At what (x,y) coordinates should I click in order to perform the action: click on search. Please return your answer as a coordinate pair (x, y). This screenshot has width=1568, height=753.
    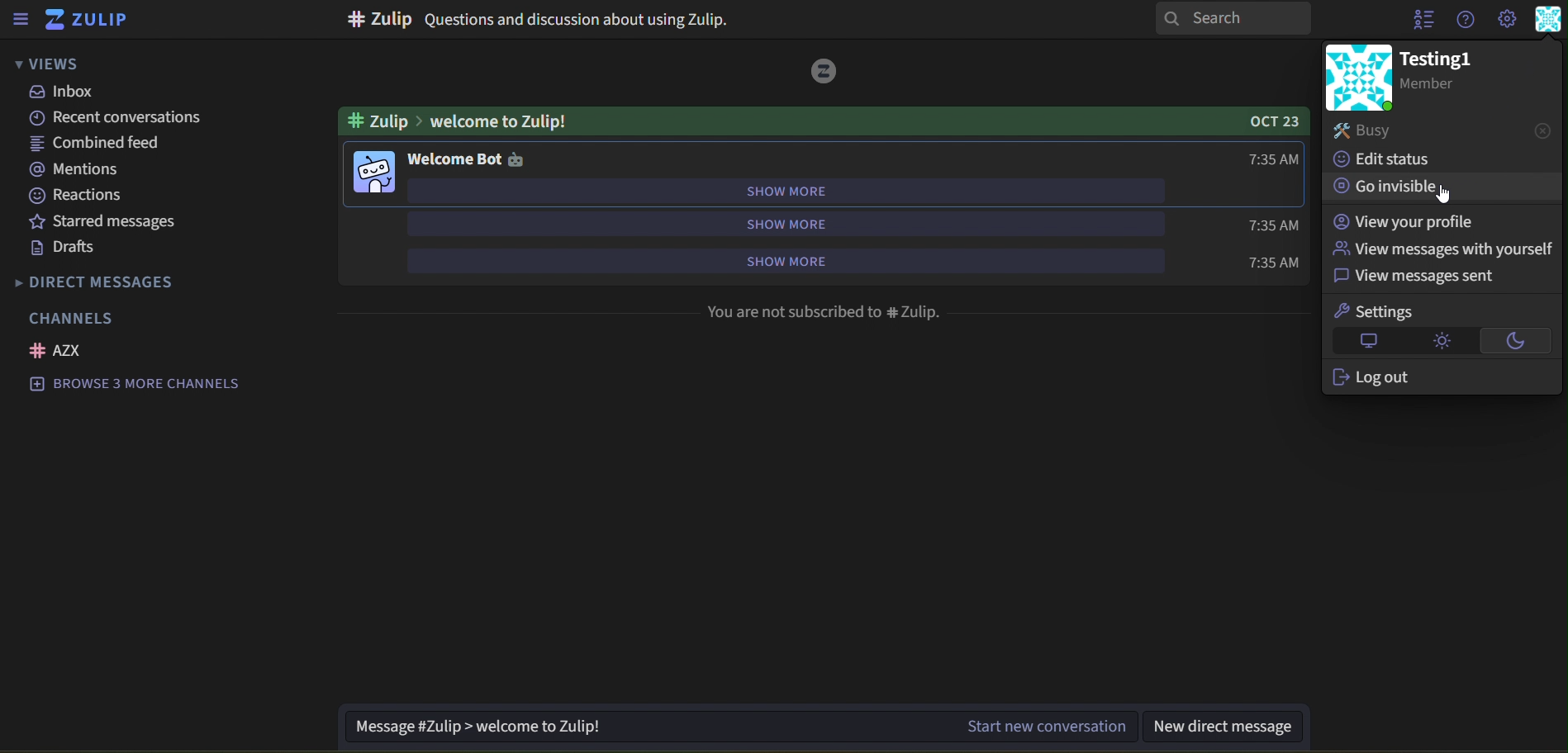
    Looking at the image, I should click on (1234, 19).